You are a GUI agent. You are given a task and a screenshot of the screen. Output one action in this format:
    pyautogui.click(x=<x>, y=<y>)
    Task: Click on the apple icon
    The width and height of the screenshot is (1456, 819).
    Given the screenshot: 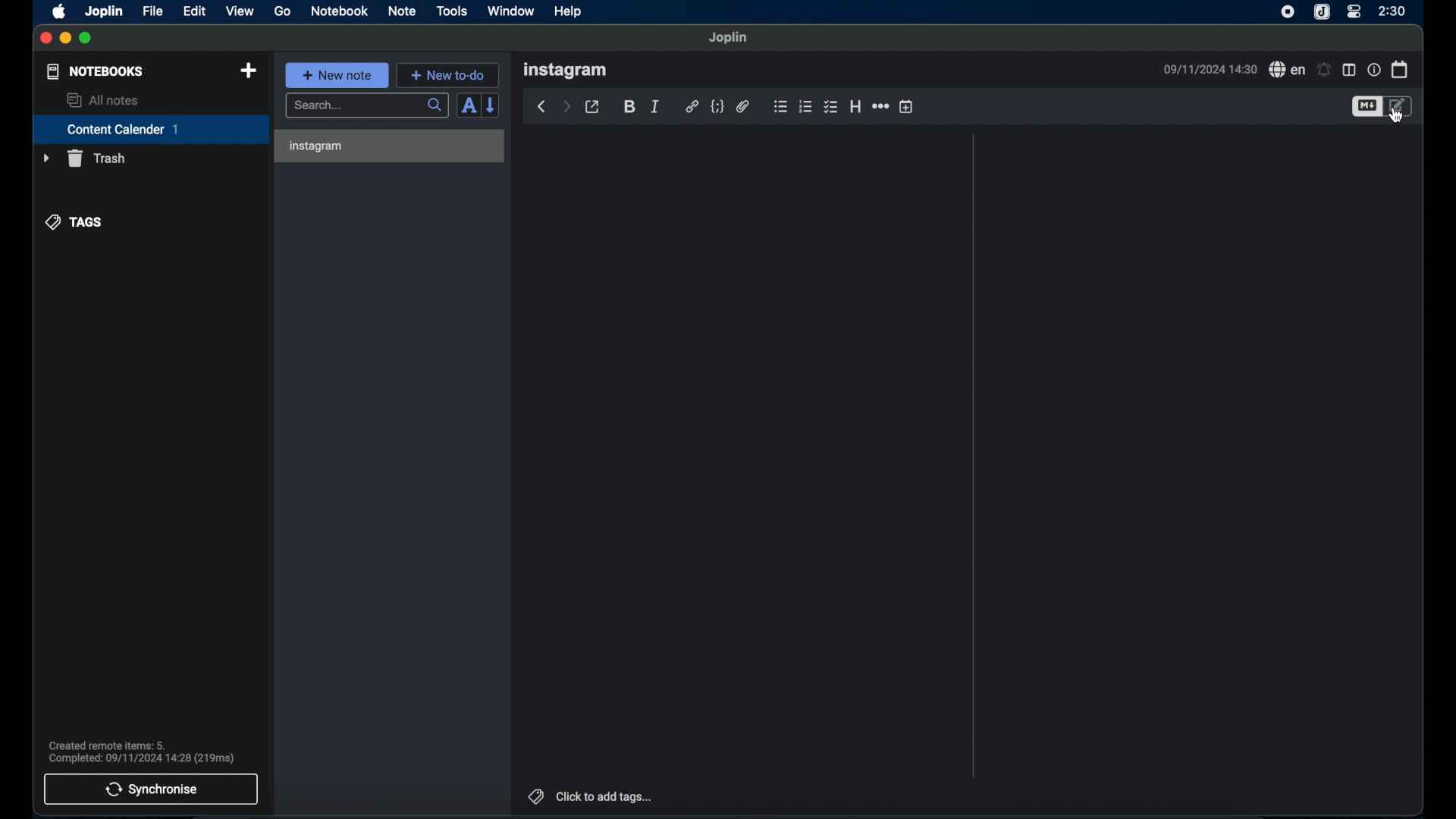 What is the action you would take?
    pyautogui.click(x=60, y=12)
    